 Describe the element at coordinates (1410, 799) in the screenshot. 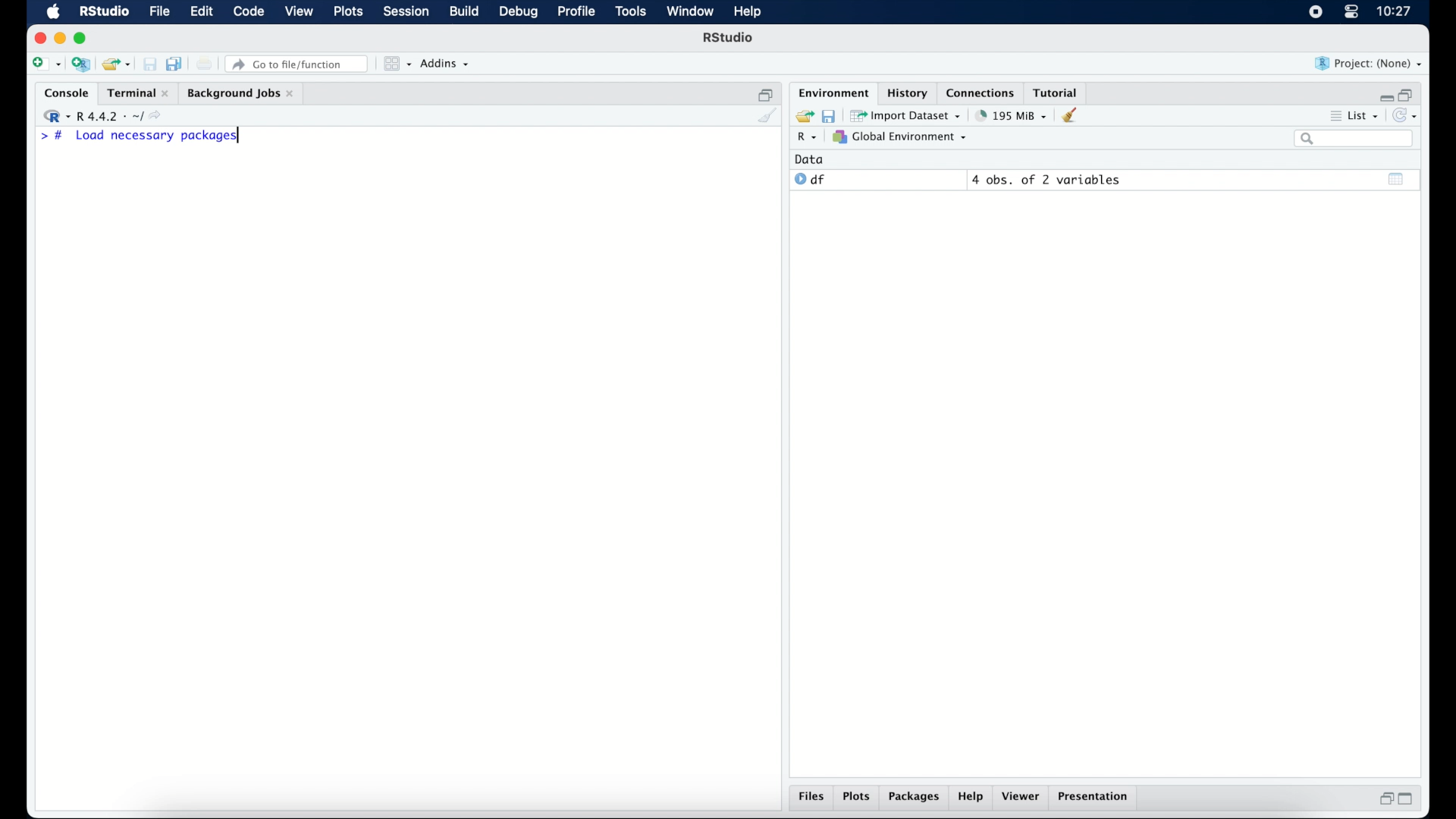

I see `maximize` at that location.